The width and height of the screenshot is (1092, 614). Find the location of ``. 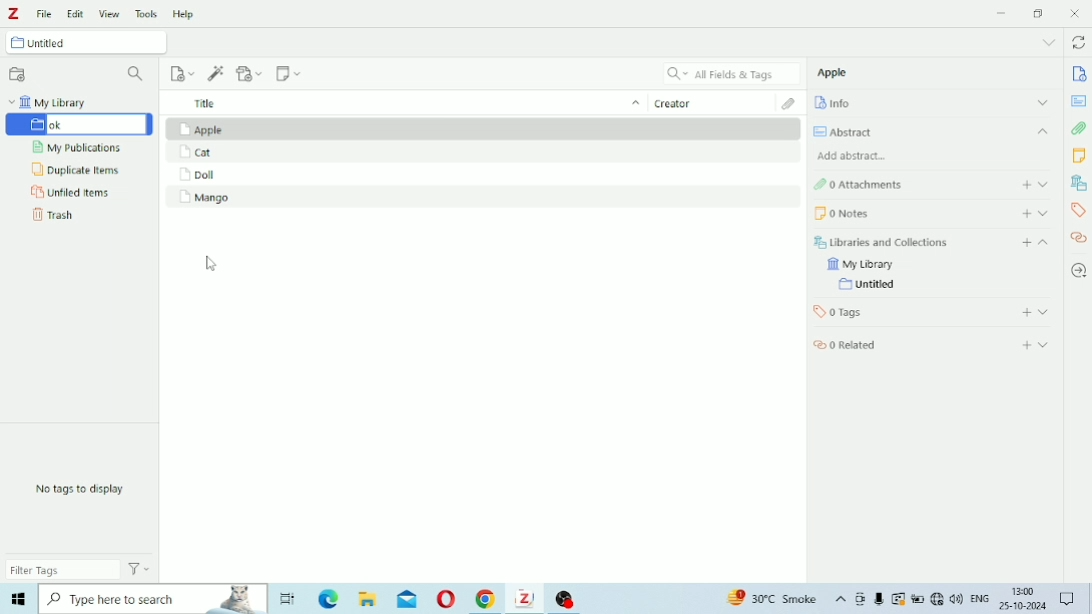

 is located at coordinates (405, 596).